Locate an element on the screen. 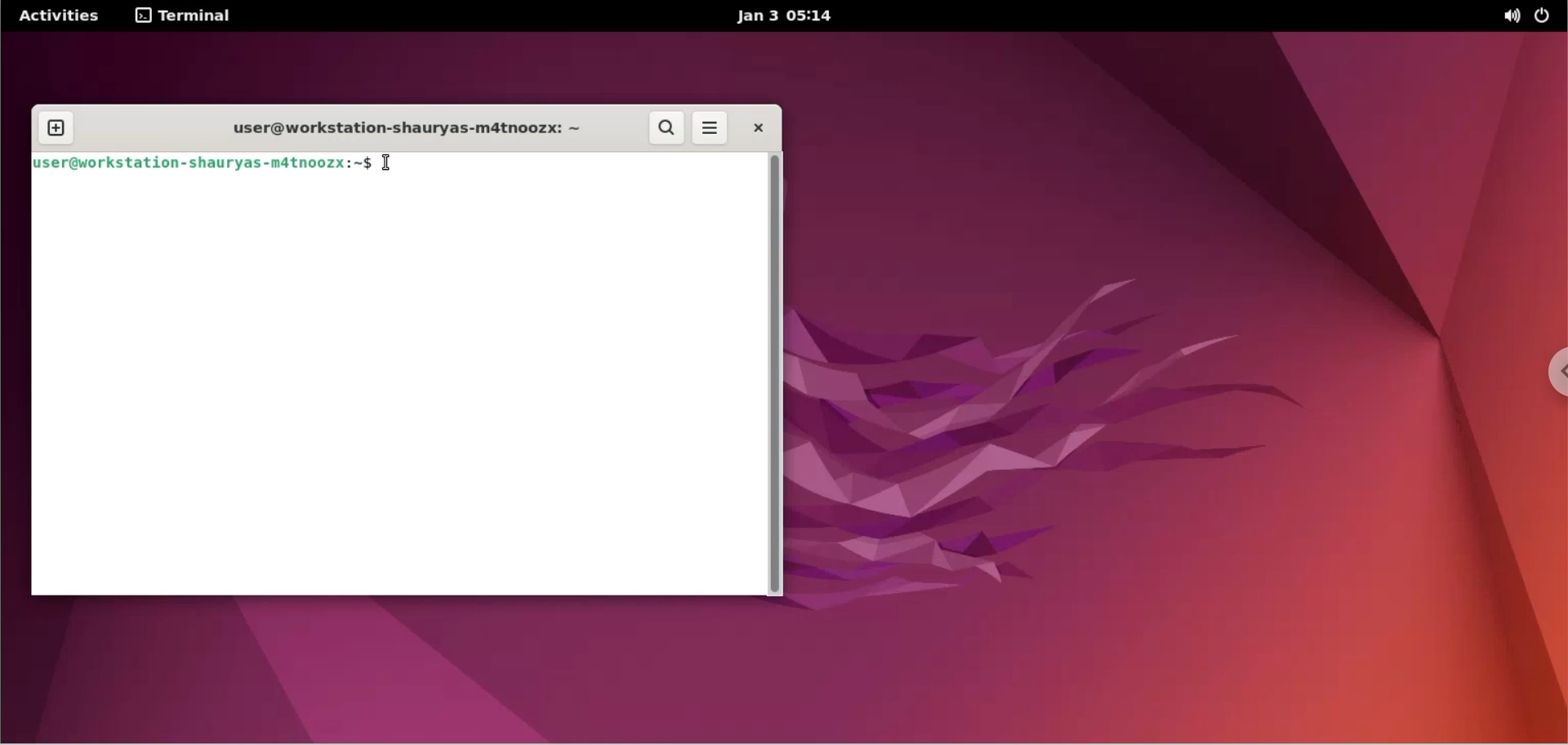  cursor is located at coordinates (395, 167).